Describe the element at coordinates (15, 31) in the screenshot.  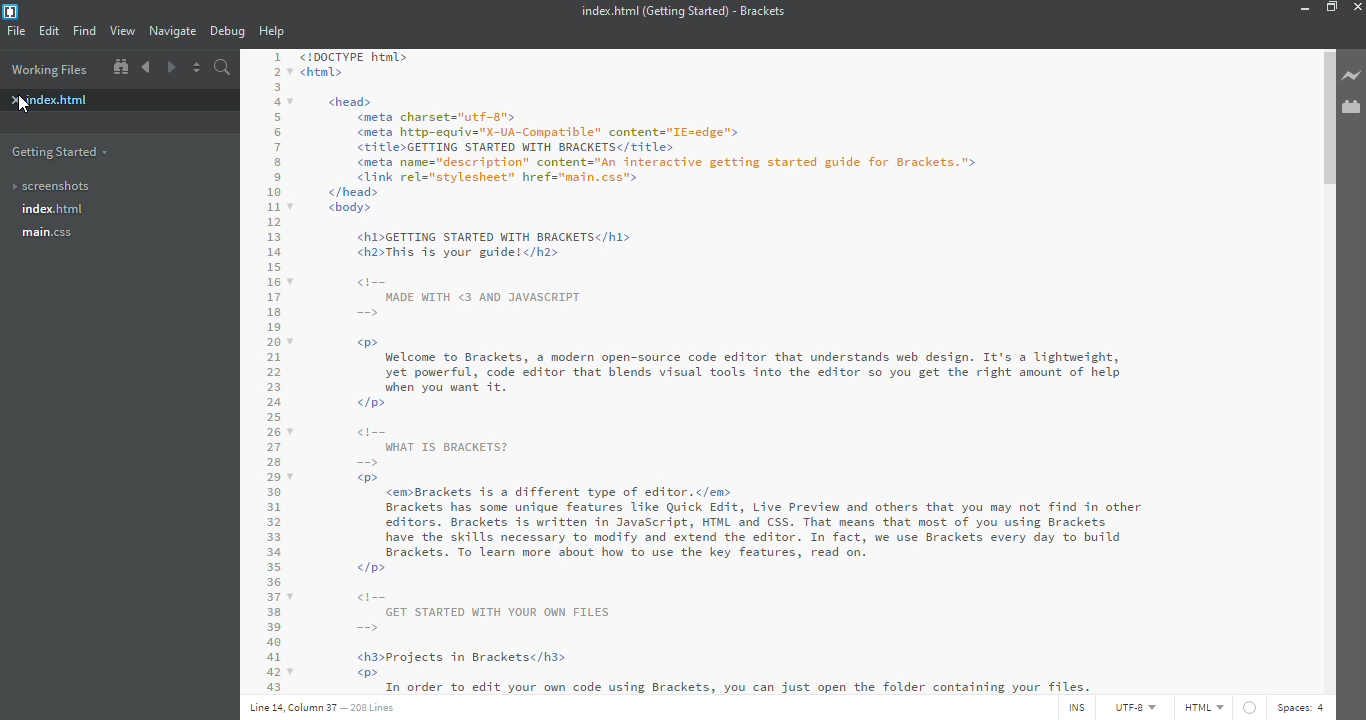
I see `file` at that location.